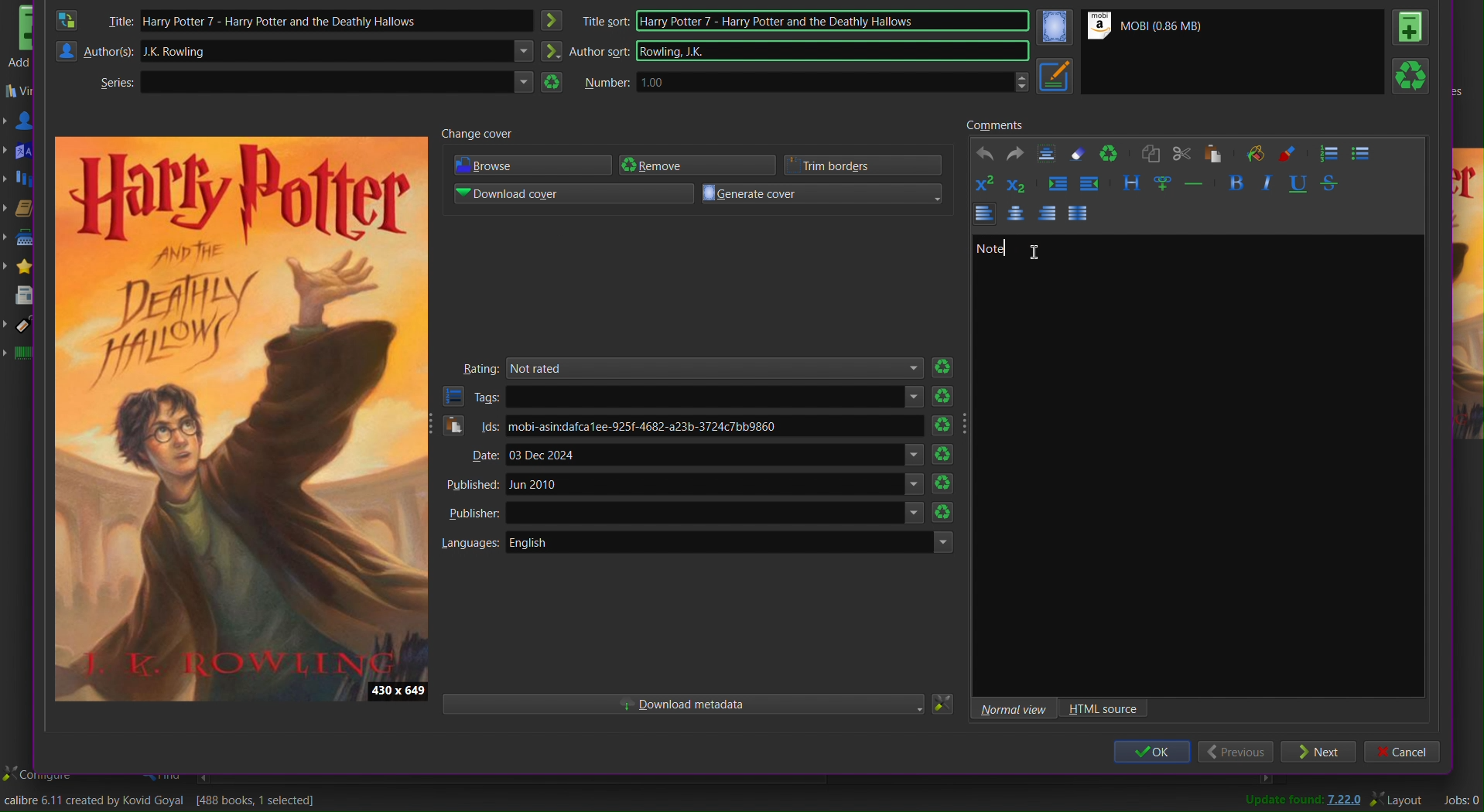 The image size is (1484, 812). What do you see at coordinates (1009, 708) in the screenshot?
I see `Normal view` at bounding box center [1009, 708].